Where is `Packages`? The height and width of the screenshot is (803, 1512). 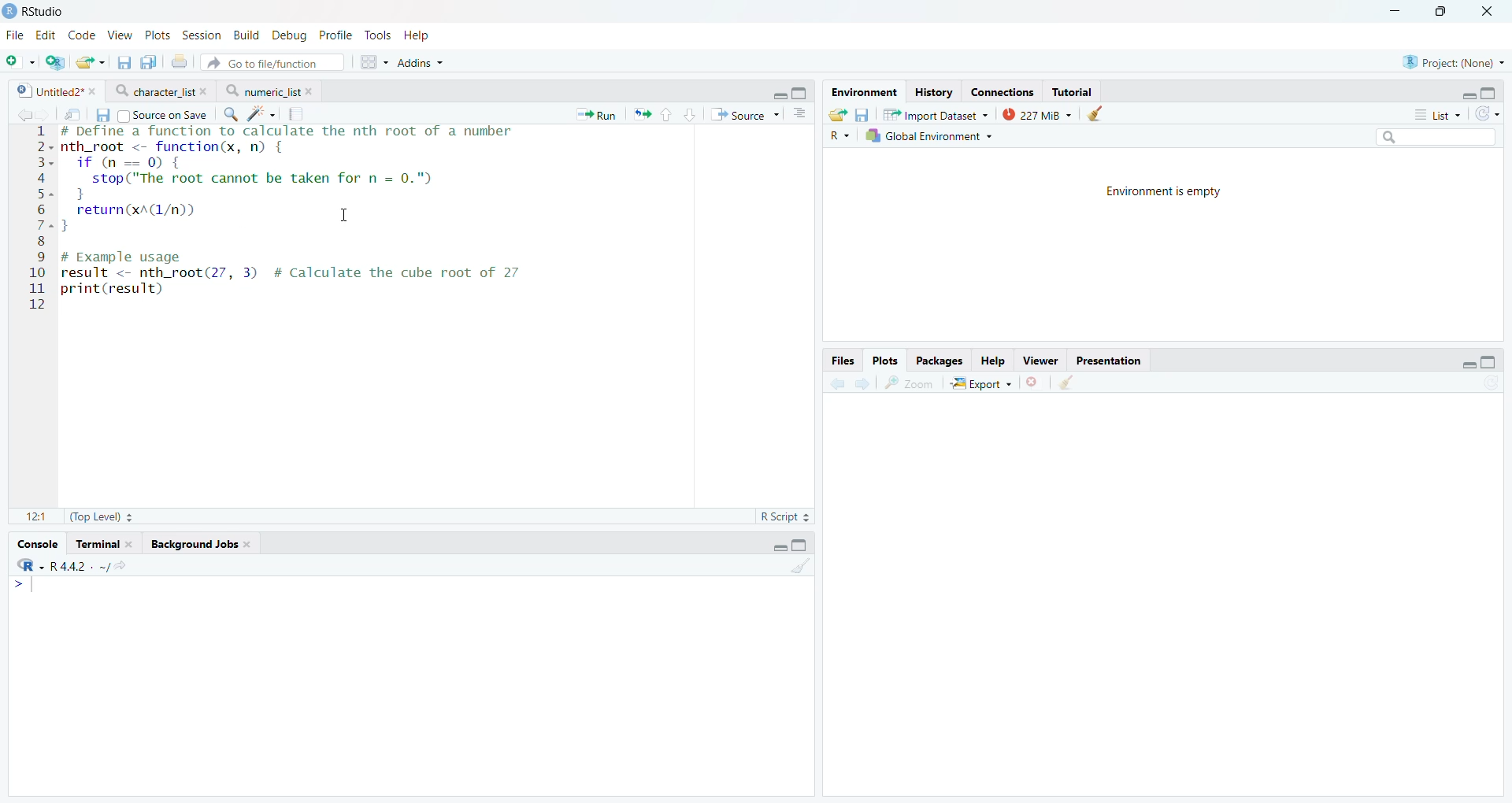
Packages is located at coordinates (941, 361).